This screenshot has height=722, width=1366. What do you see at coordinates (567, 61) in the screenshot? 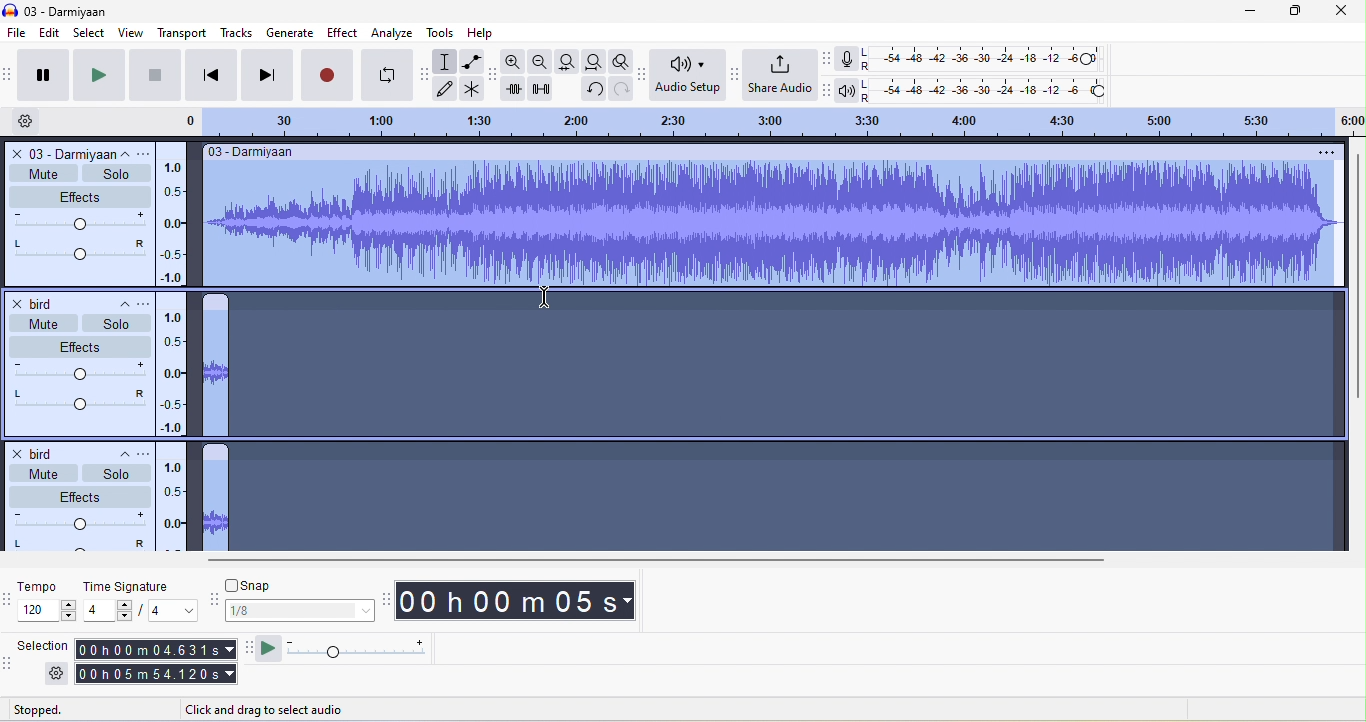
I see `file selection to width` at bounding box center [567, 61].